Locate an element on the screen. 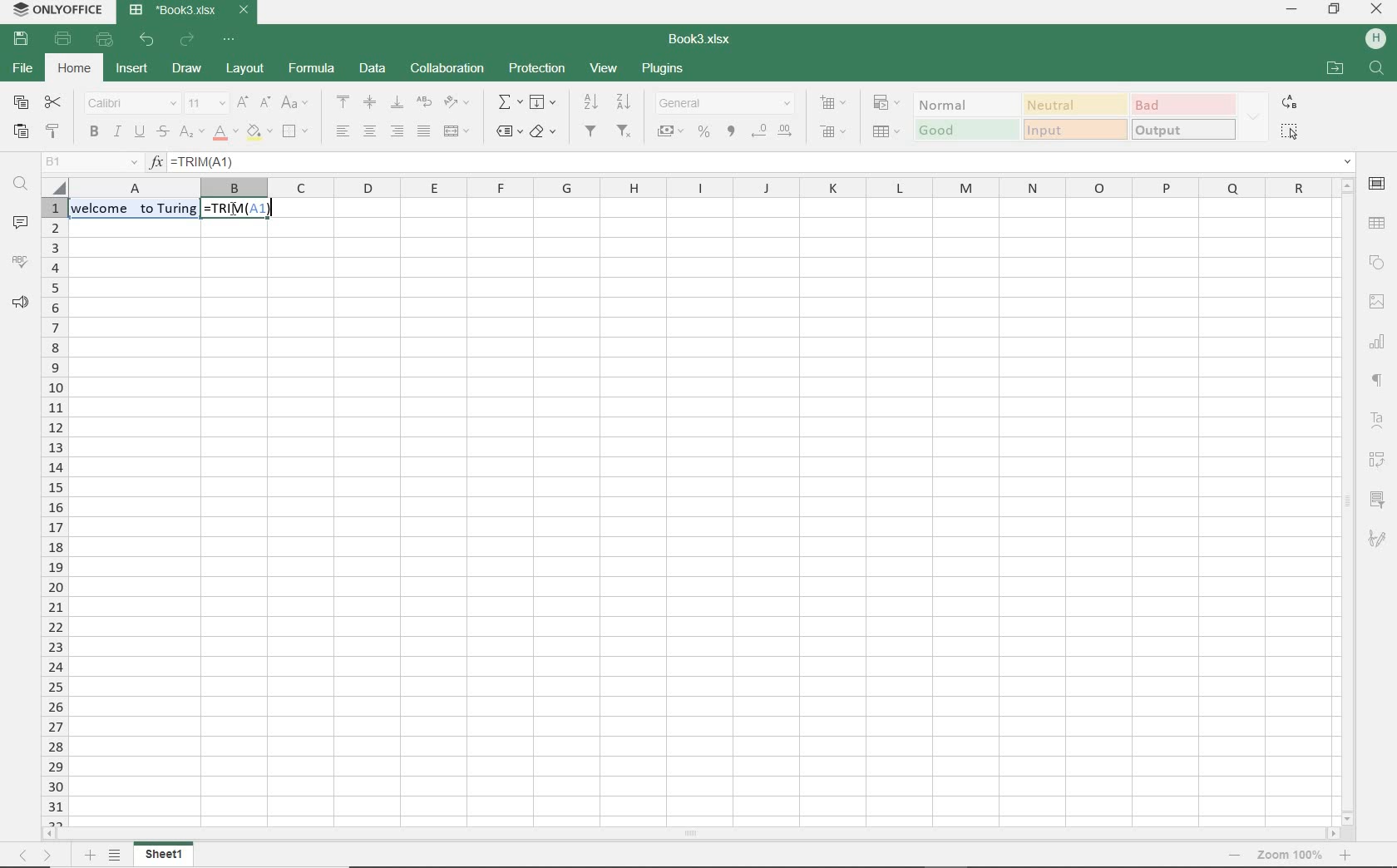  layout is located at coordinates (247, 70).